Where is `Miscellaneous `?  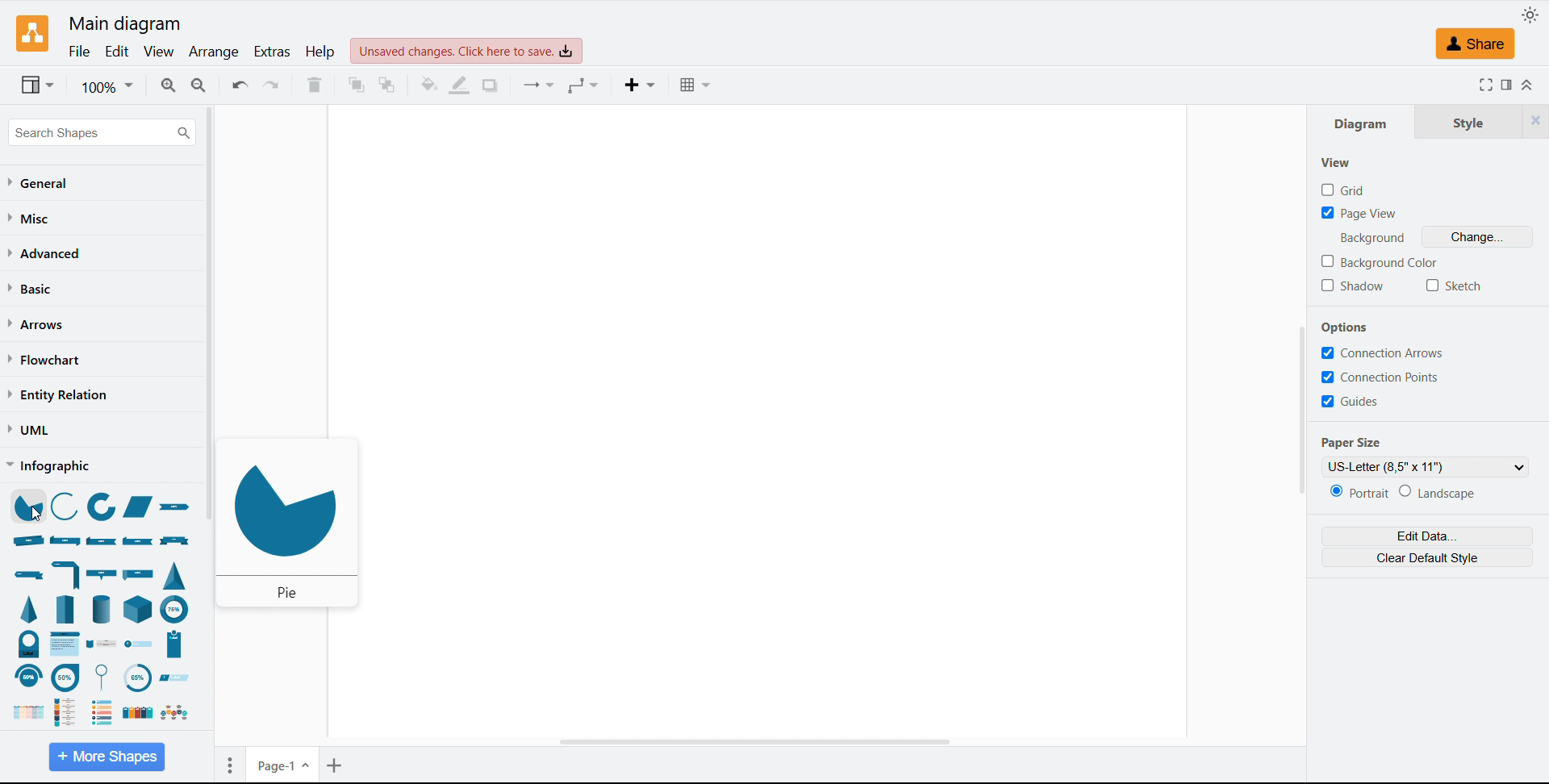 Miscellaneous  is located at coordinates (33, 218).